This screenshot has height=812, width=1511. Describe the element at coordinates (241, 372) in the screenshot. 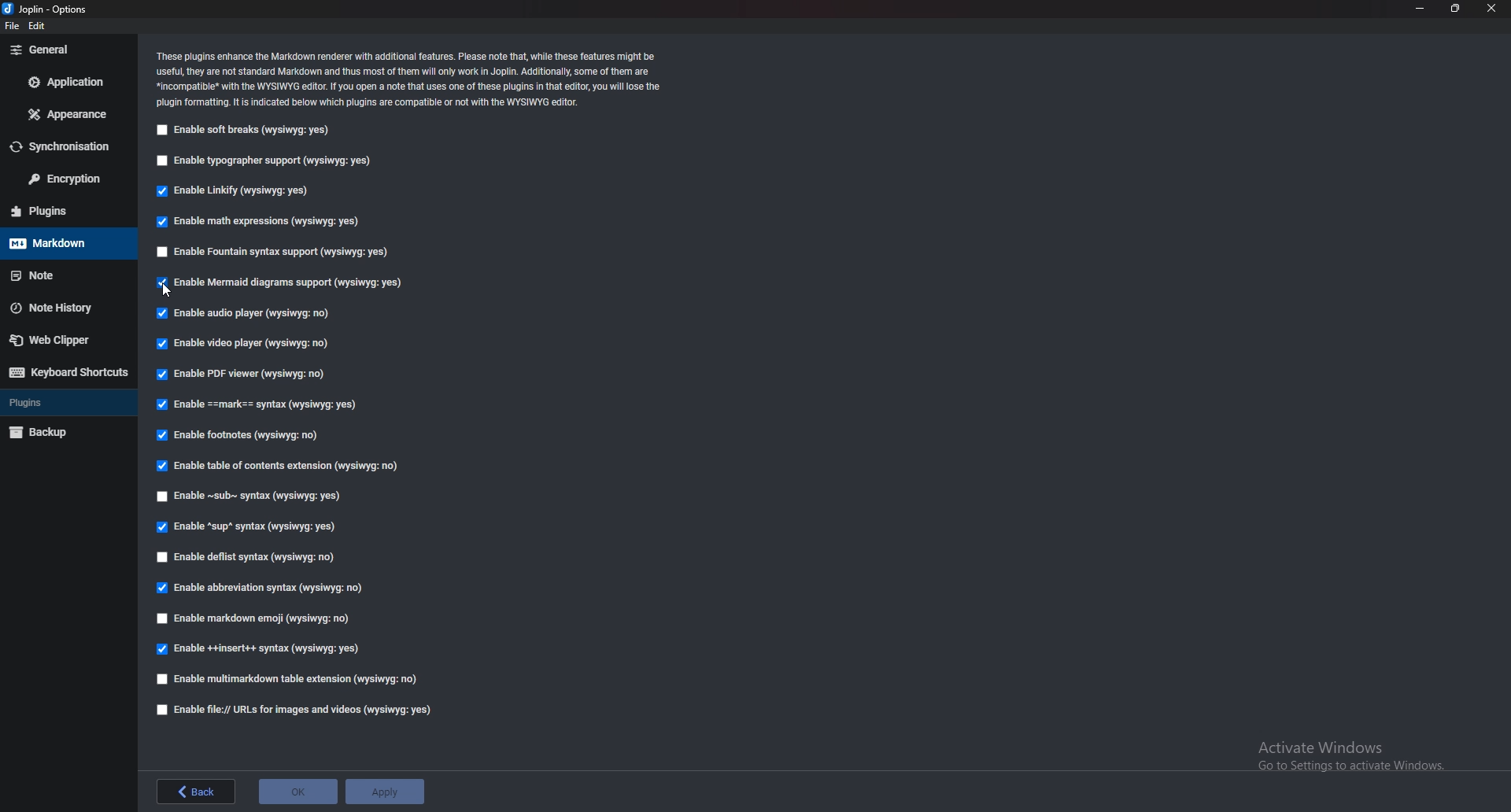

I see `enable P D F viewer` at that location.